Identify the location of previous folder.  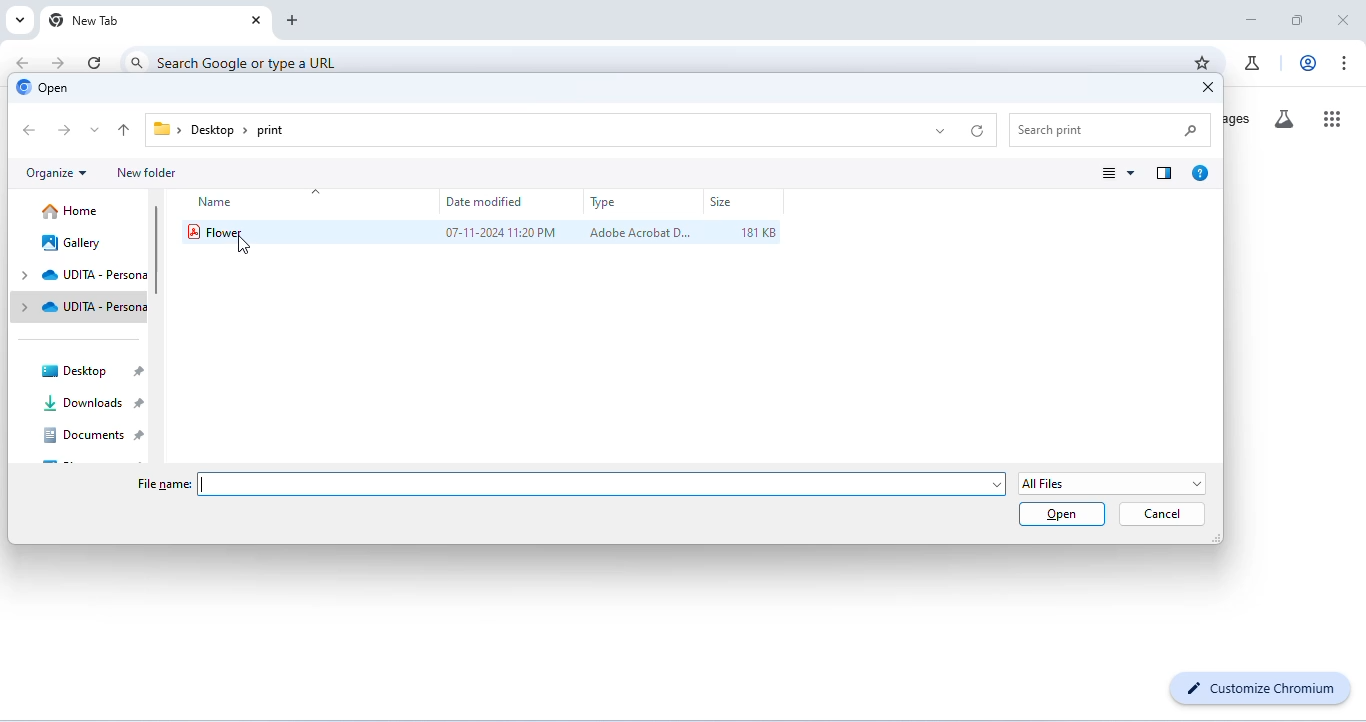
(30, 129).